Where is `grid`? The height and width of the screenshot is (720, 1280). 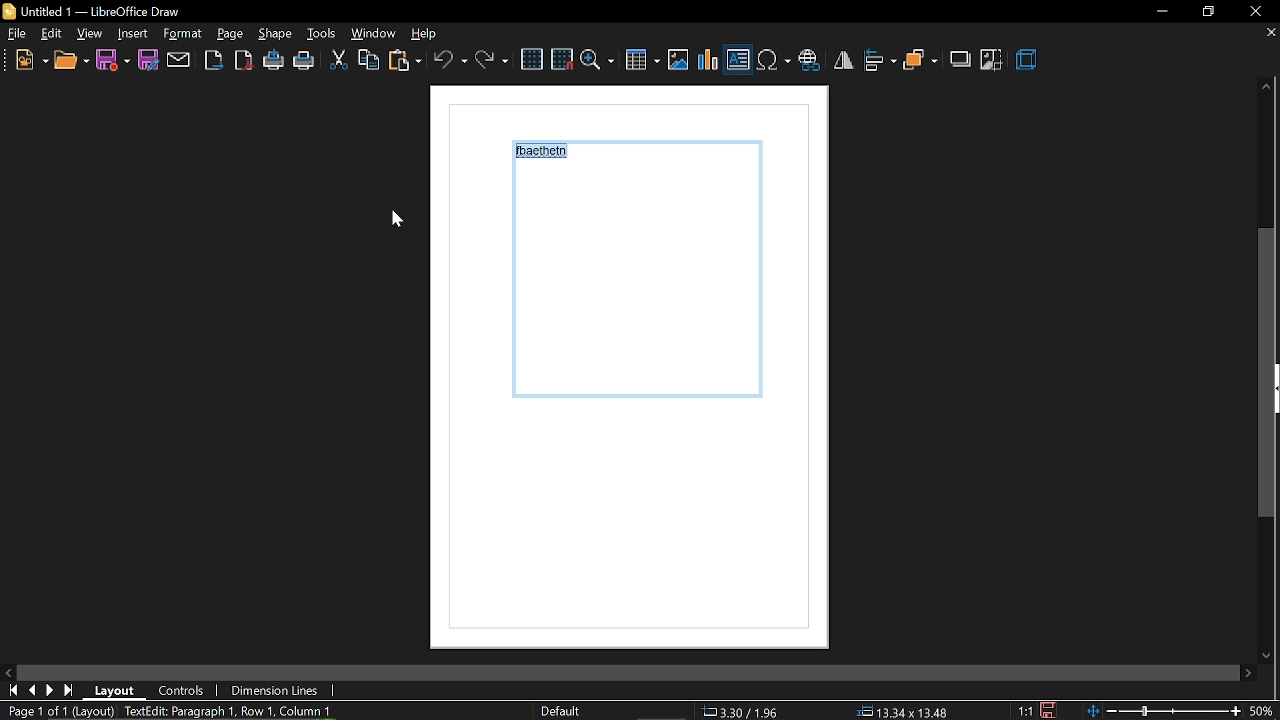 grid is located at coordinates (531, 60).